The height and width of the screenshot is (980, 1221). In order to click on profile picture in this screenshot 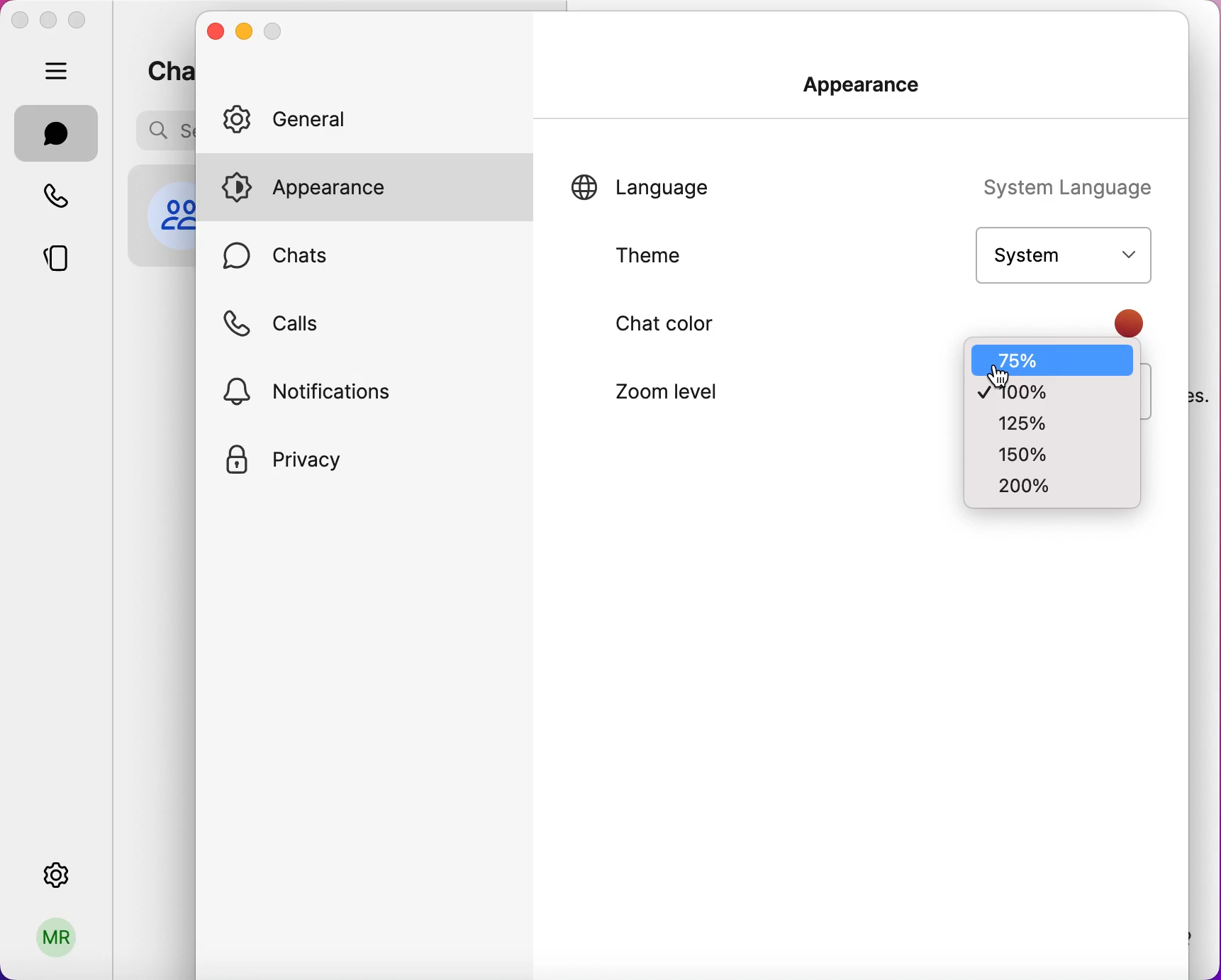, I will do `click(56, 939)`.